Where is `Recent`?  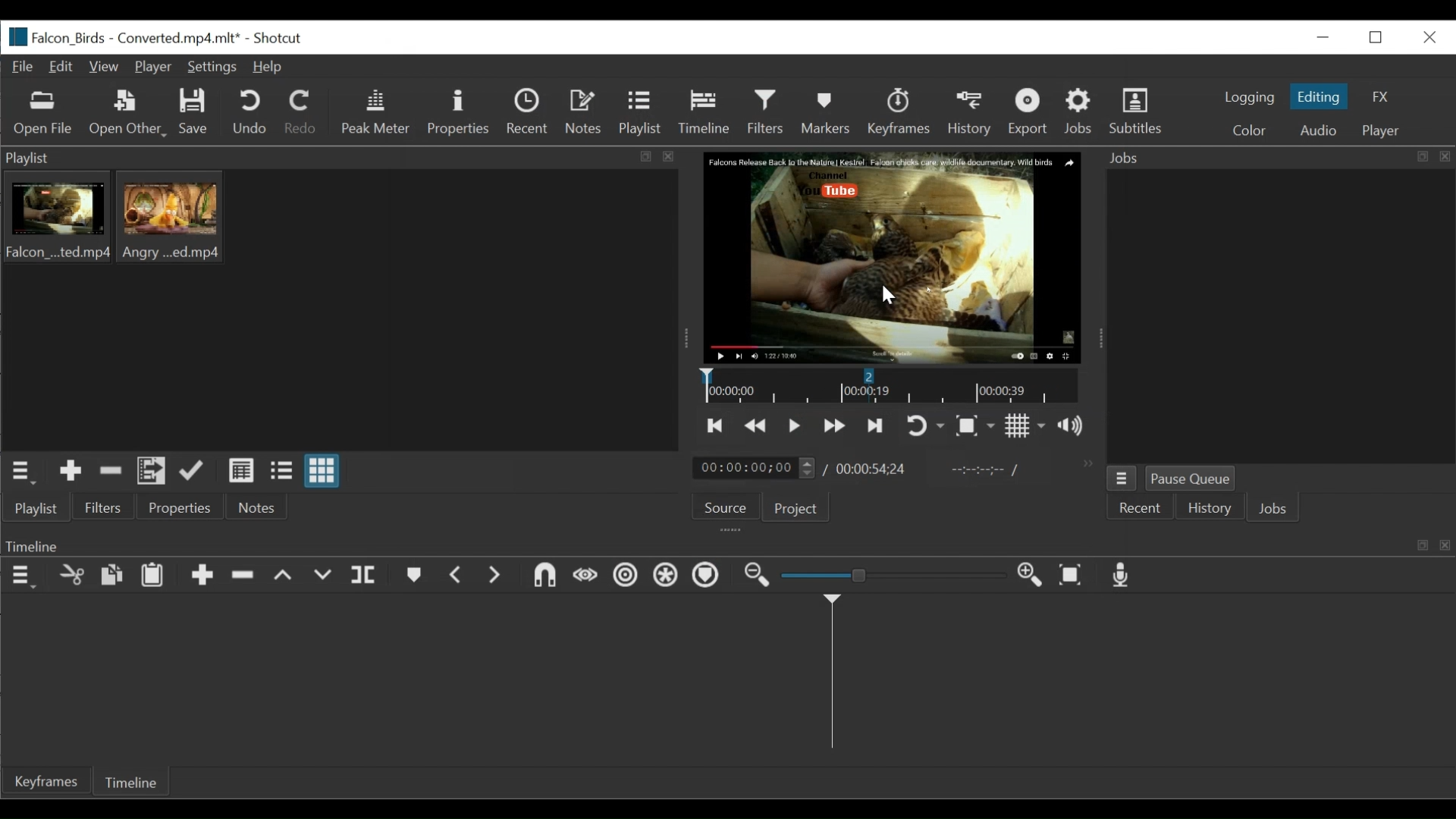 Recent is located at coordinates (524, 111).